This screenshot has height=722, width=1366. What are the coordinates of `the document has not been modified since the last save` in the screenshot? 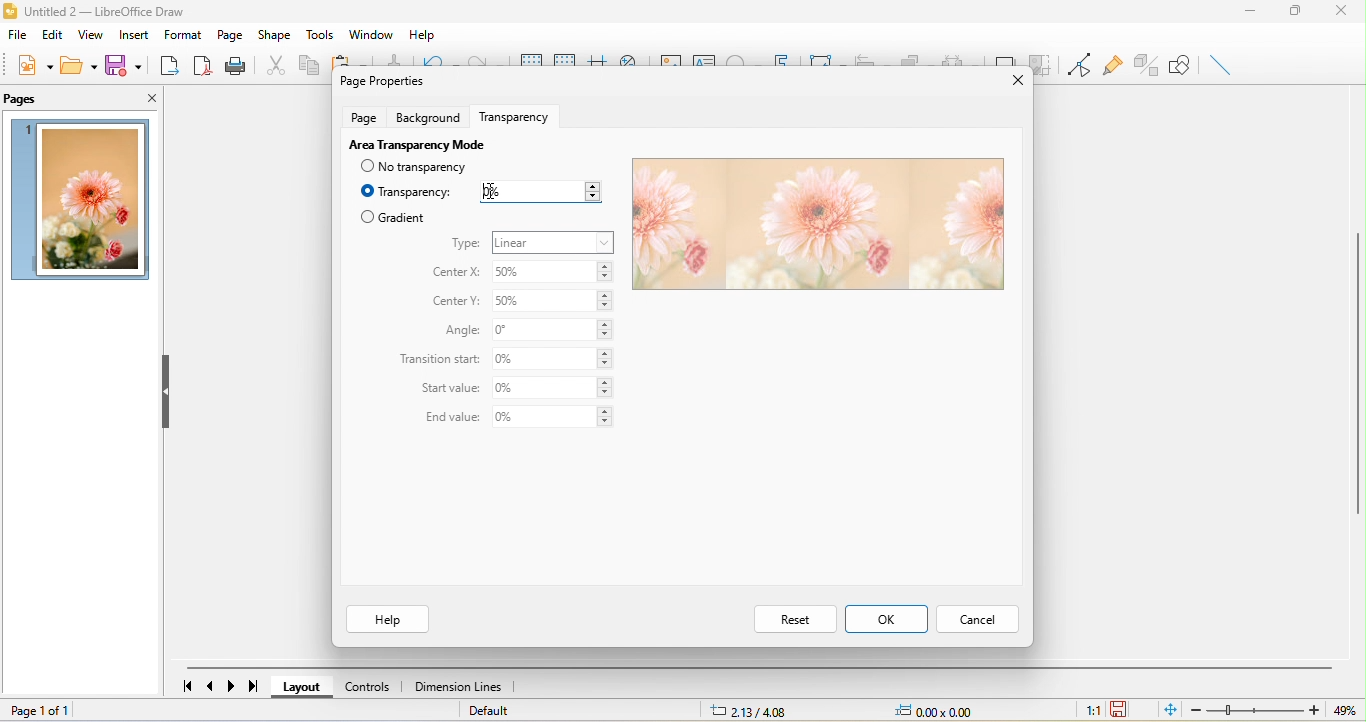 It's located at (1121, 709).